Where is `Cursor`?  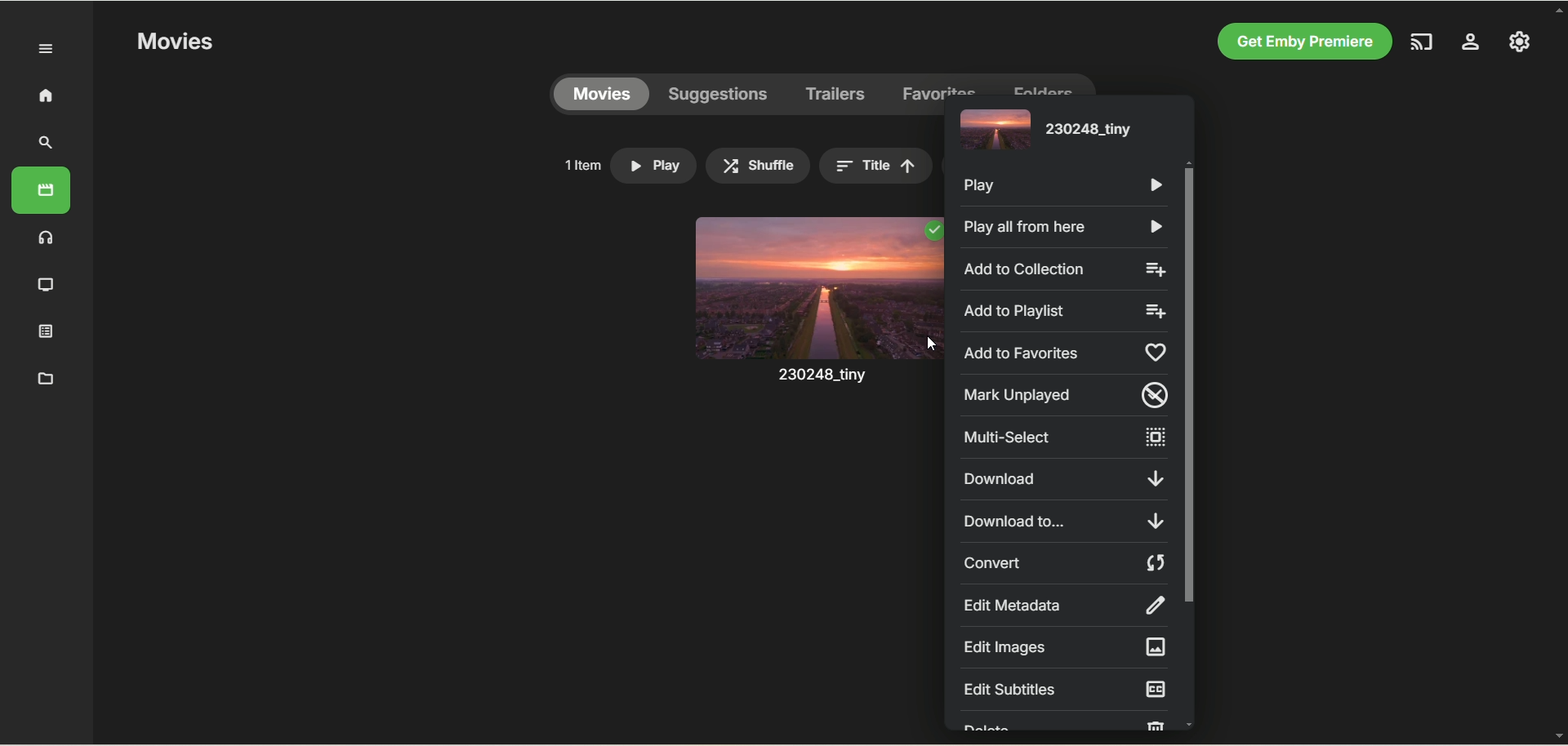 Cursor is located at coordinates (930, 344).